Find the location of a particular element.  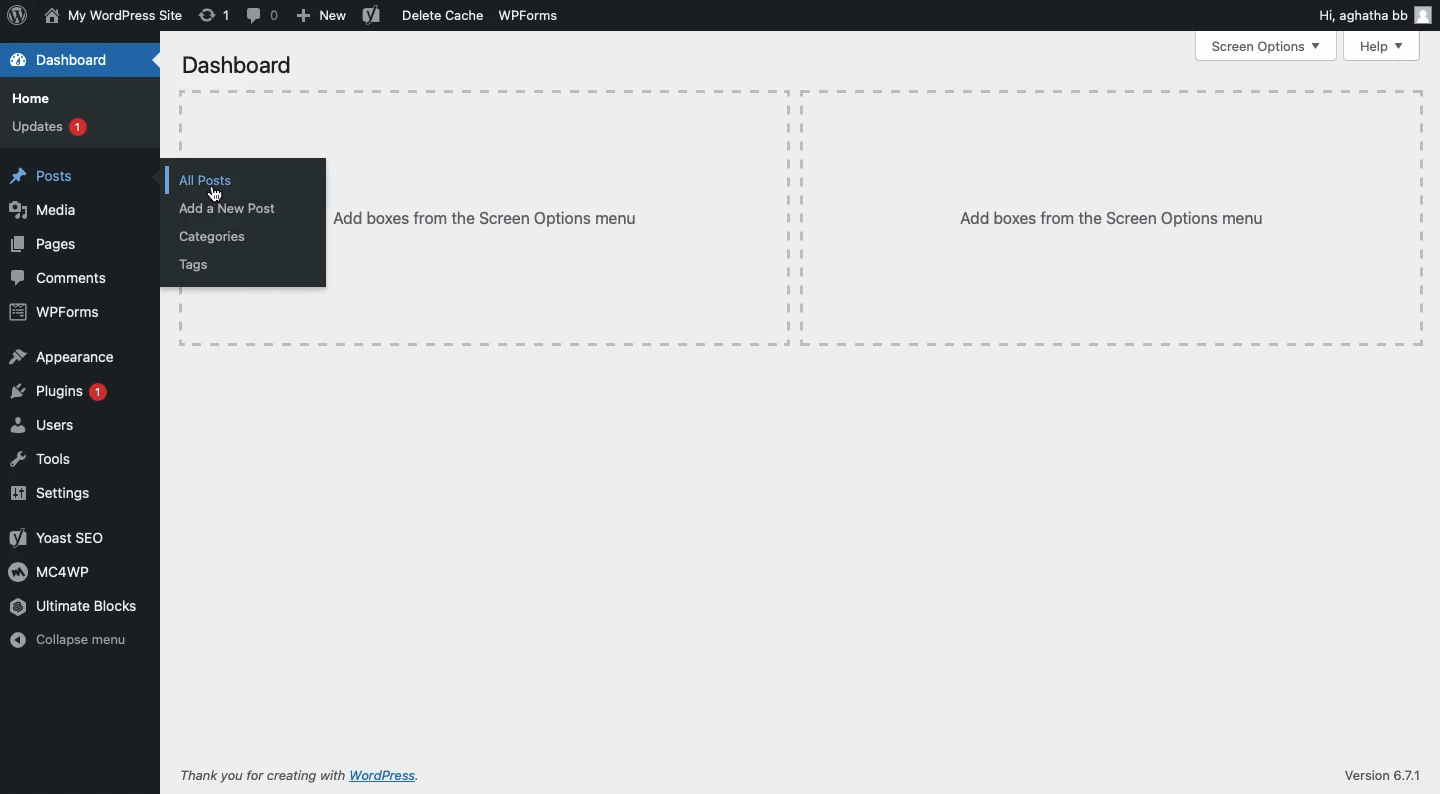

Screen options is located at coordinates (1266, 46).